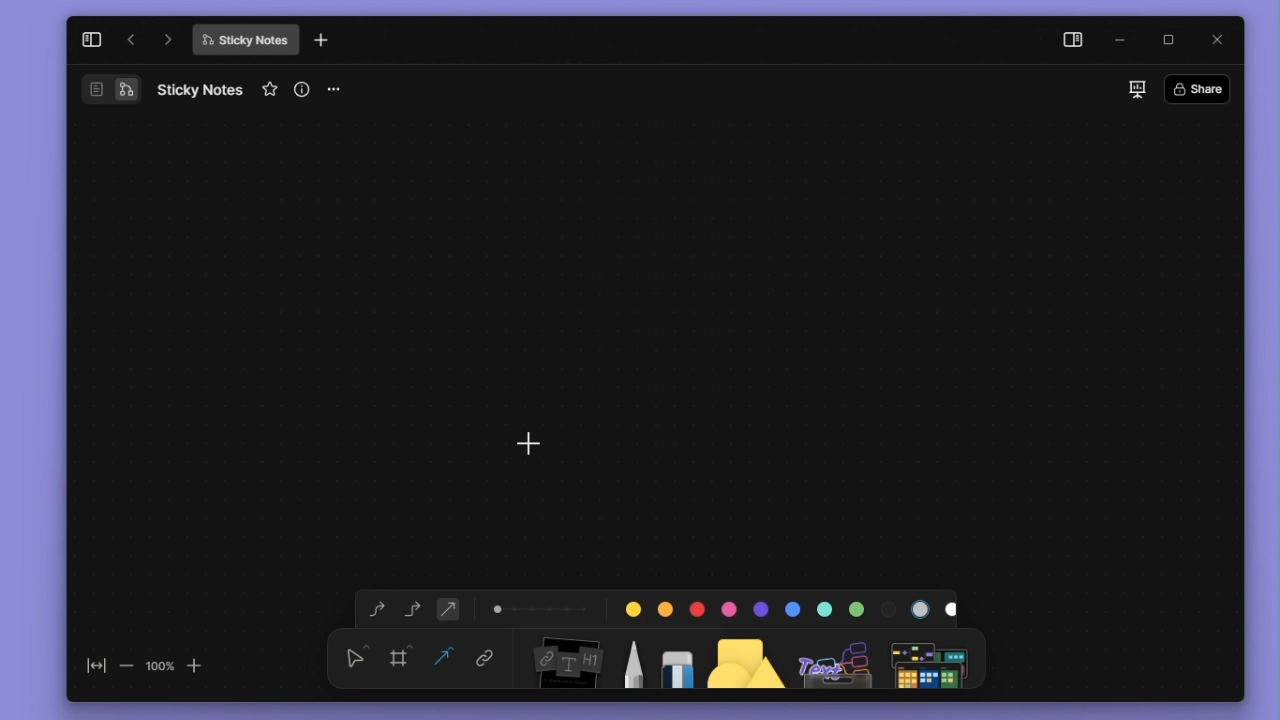  Describe the element at coordinates (785, 605) in the screenshot. I see `color pallete` at that location.